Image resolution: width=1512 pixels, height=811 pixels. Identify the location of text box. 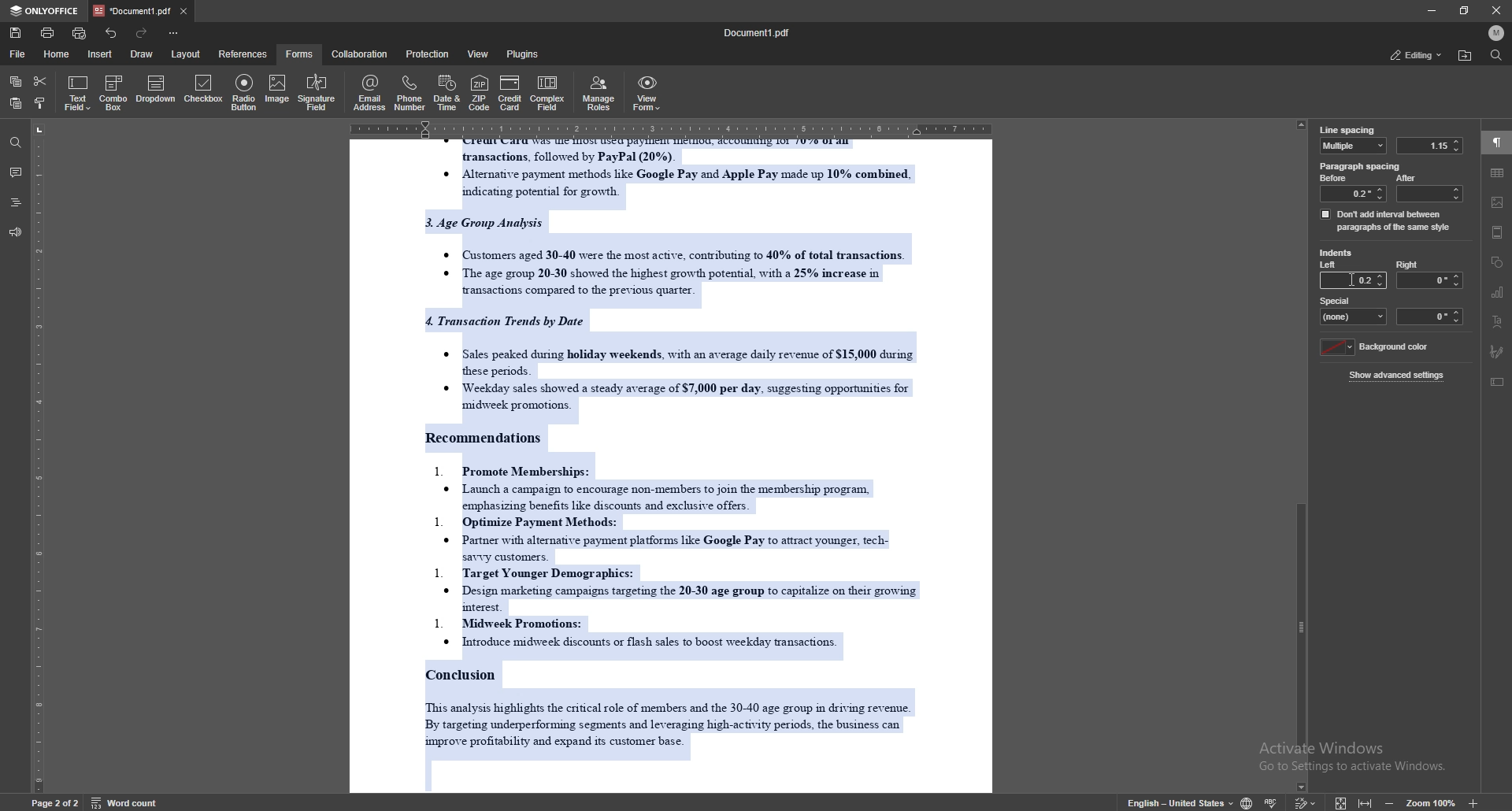
(1499, 382).